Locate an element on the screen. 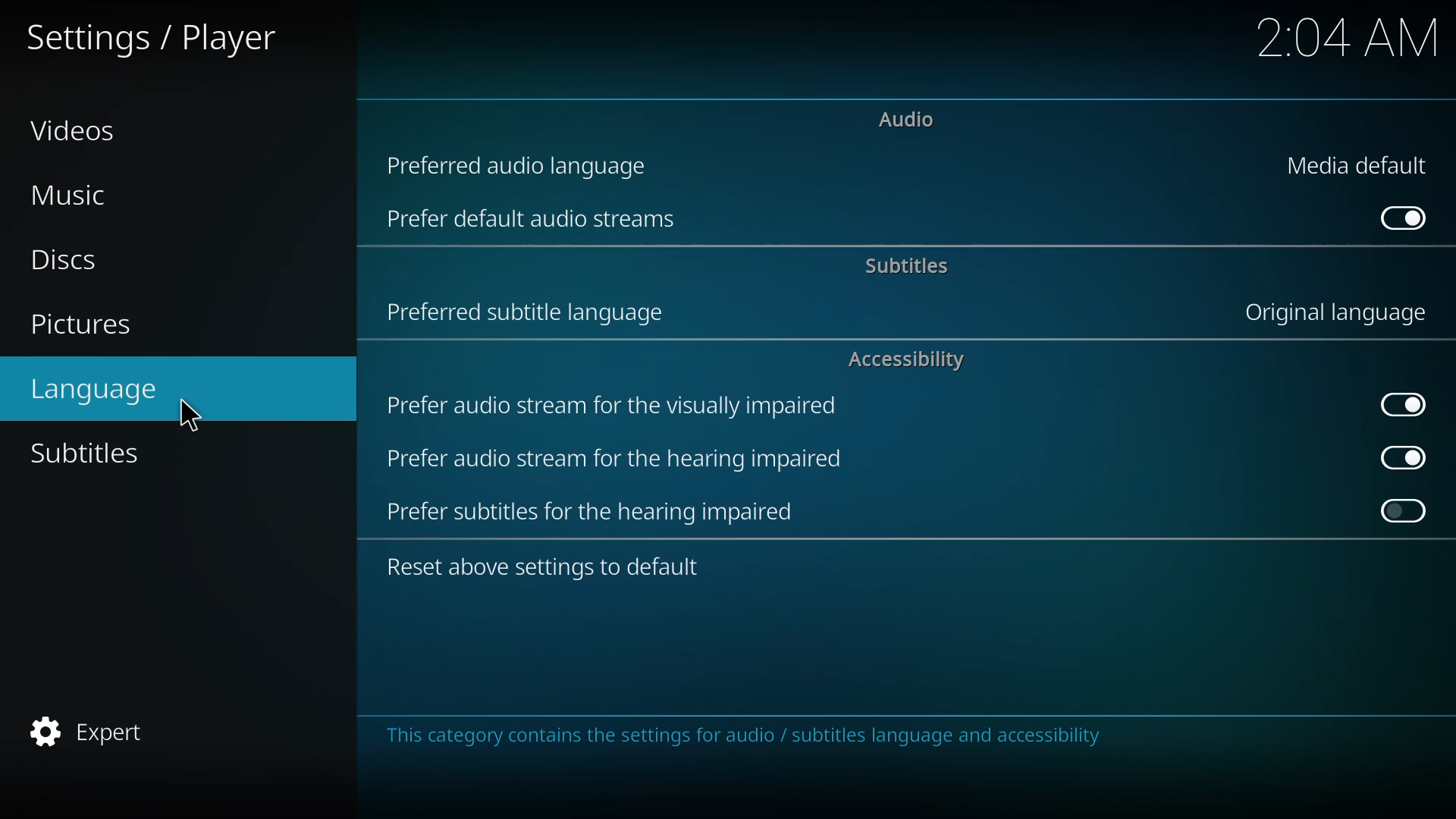  prefer audio stream for hearing impaired is located at coordinates (620, 459).